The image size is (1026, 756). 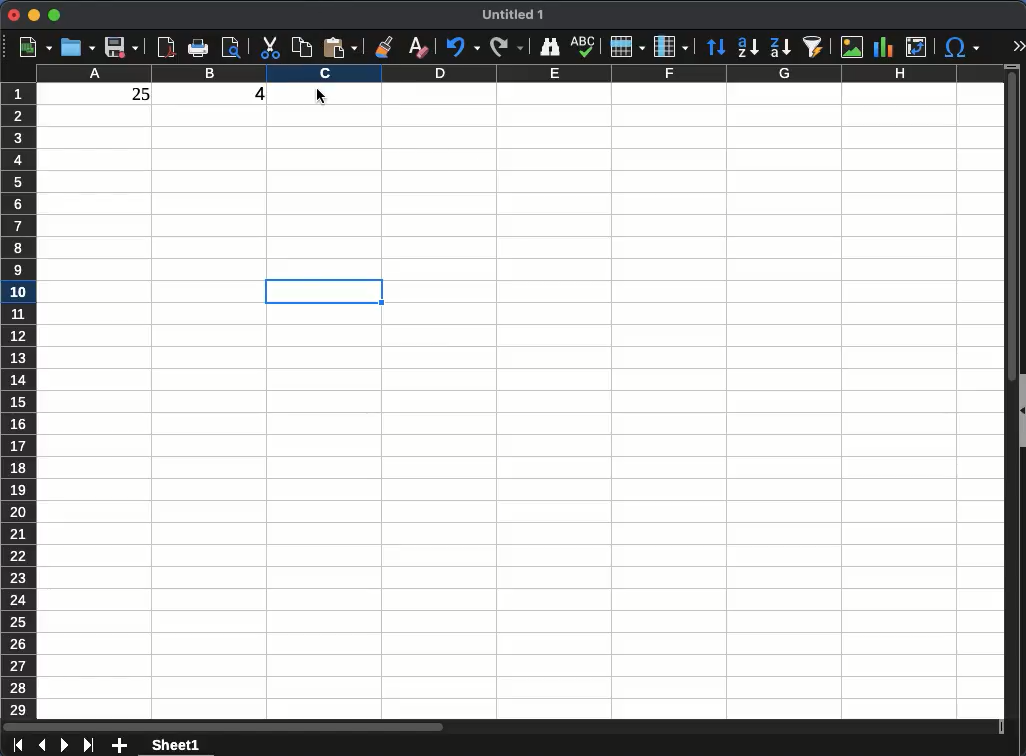 What do you see at coordinates (463, 47) in the screenshot?
I see `undo ` at bounding box center [463, 47].